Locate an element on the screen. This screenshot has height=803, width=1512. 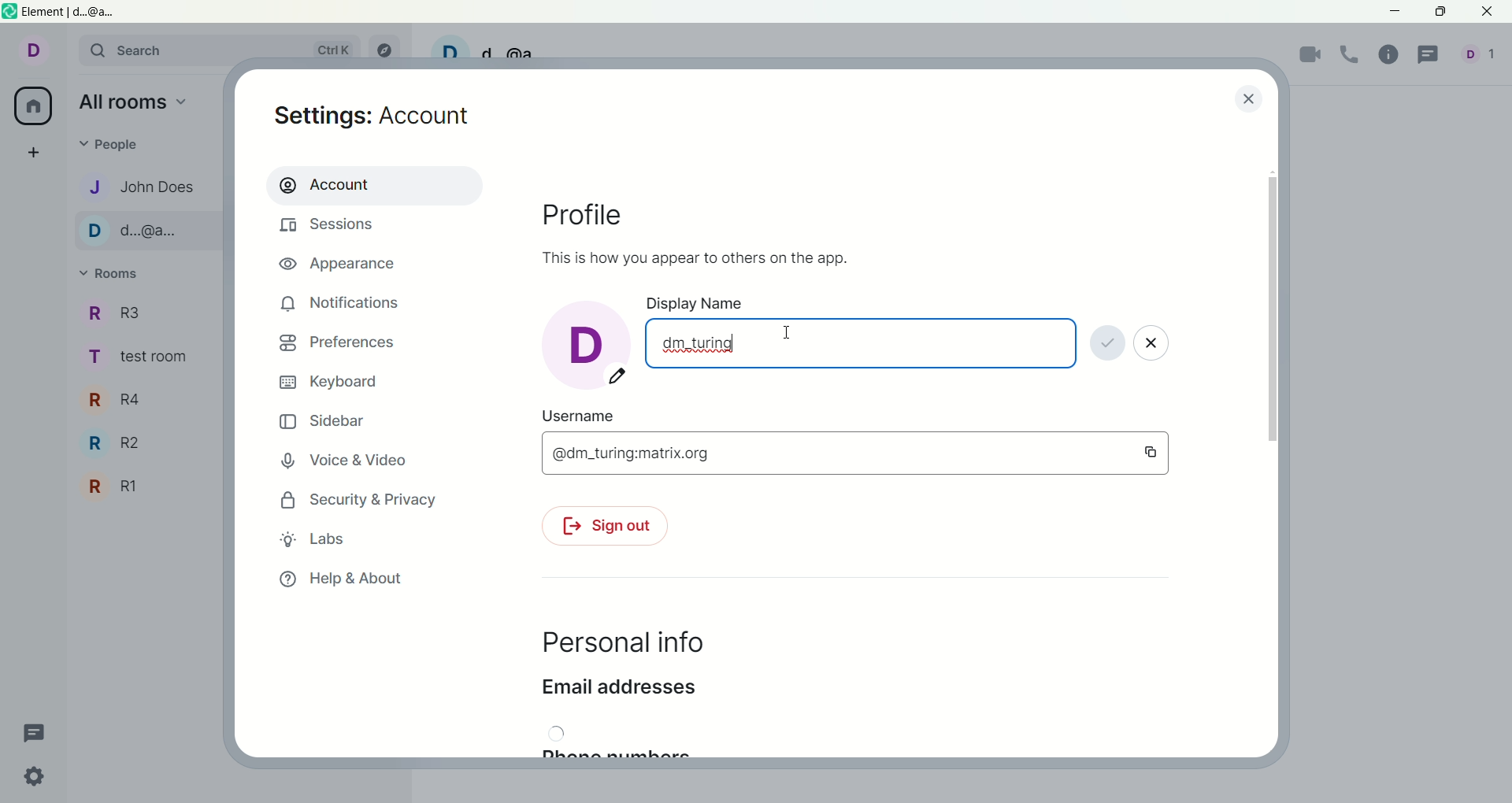
mouse cursor is located at coordinates (788, 331).